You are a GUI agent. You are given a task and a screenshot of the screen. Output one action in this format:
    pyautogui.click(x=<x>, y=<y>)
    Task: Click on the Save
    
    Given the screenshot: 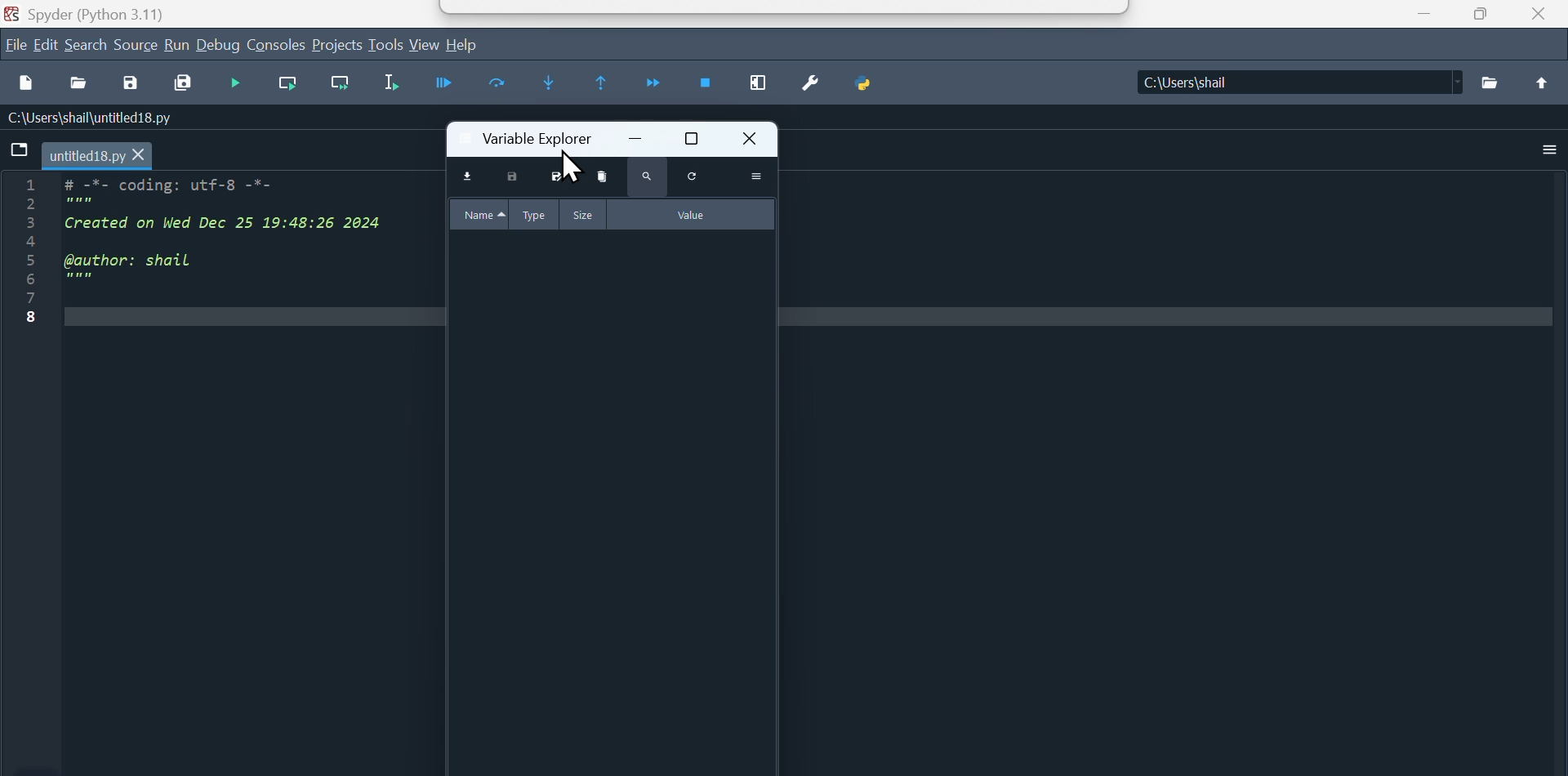 What is the action you would take?
    pyautogui.click(x=135, y=86)
    